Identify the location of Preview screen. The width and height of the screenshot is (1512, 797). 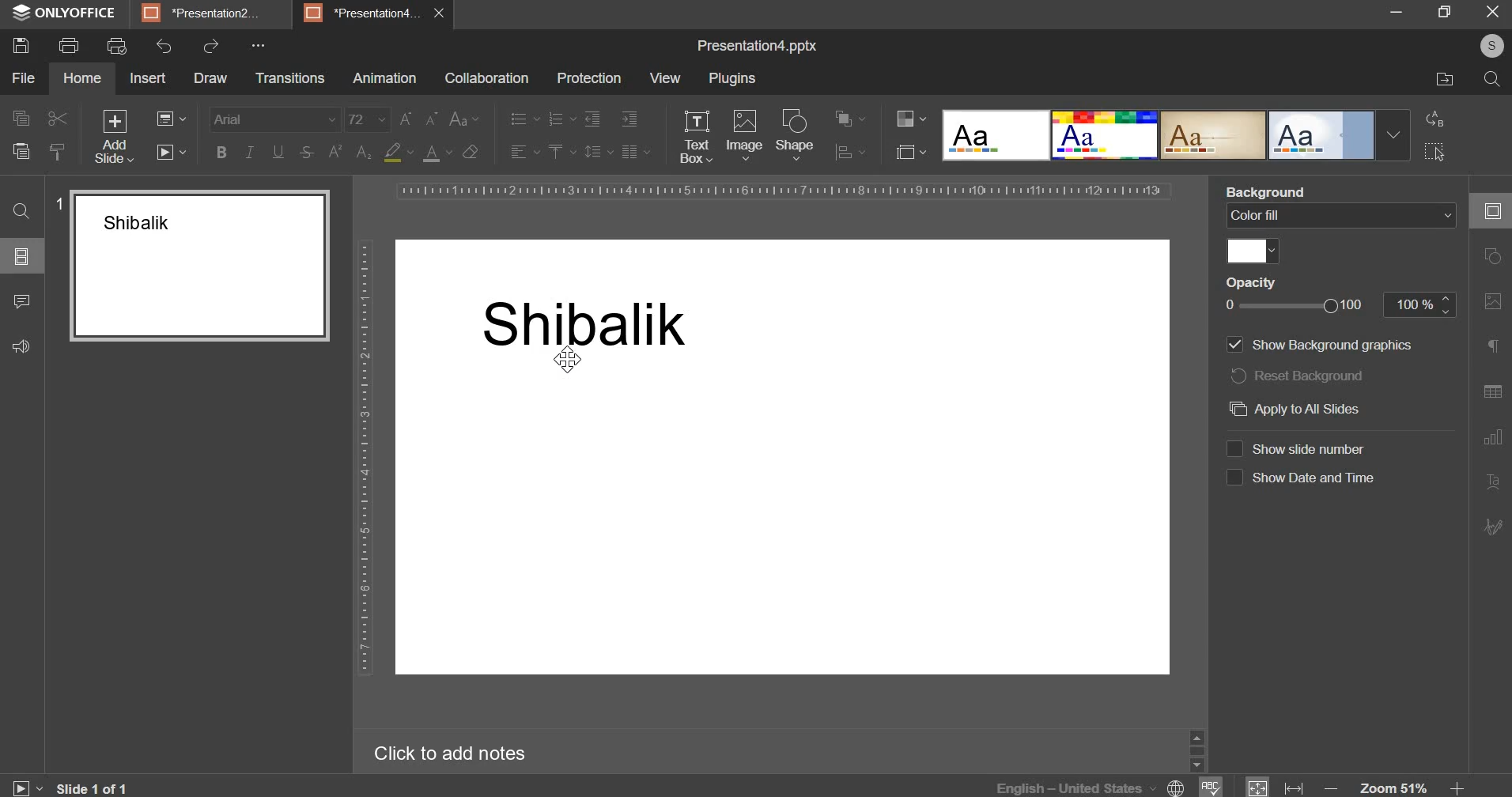
(191, 268).